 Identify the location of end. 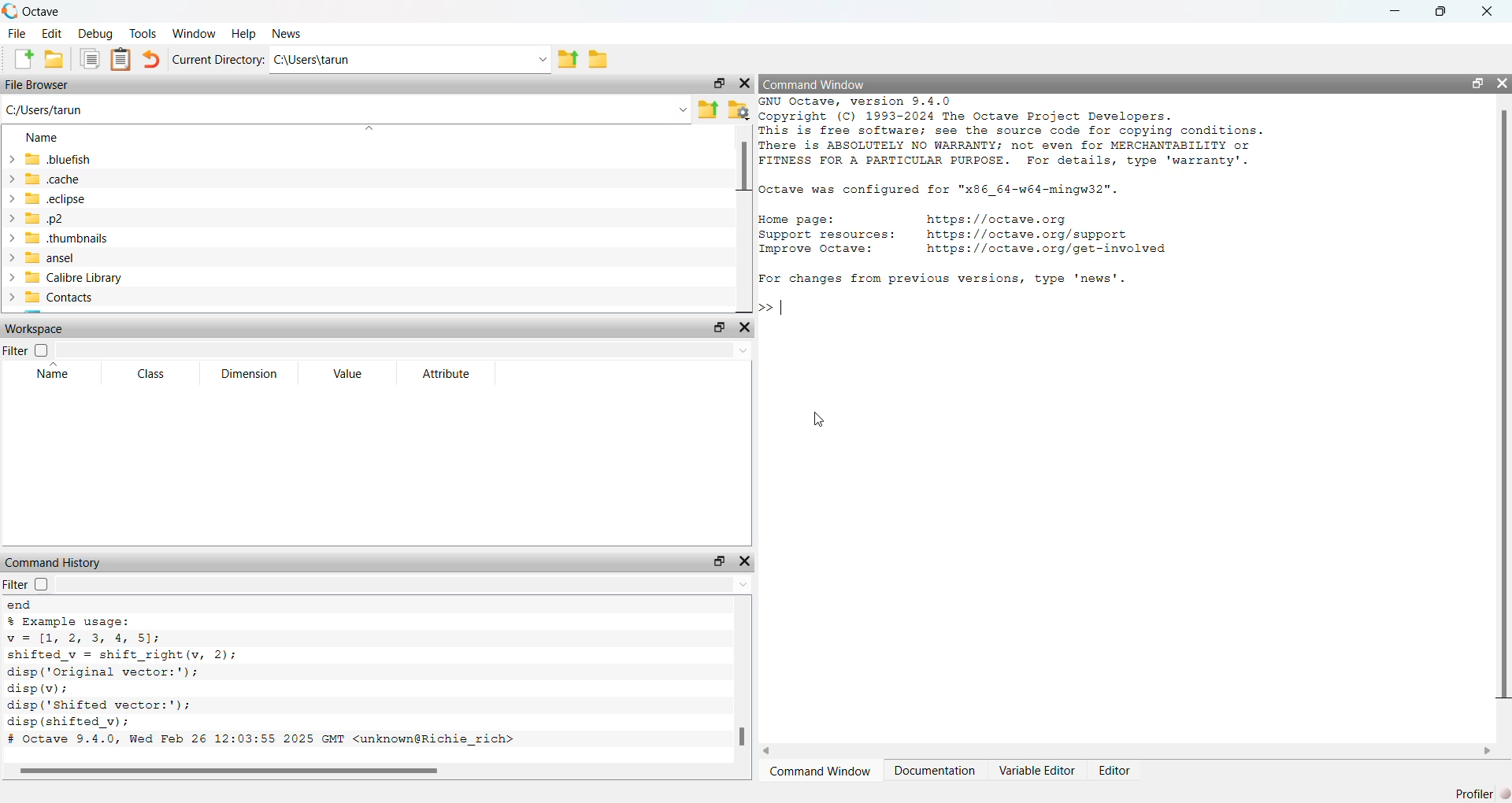
(19, 606).